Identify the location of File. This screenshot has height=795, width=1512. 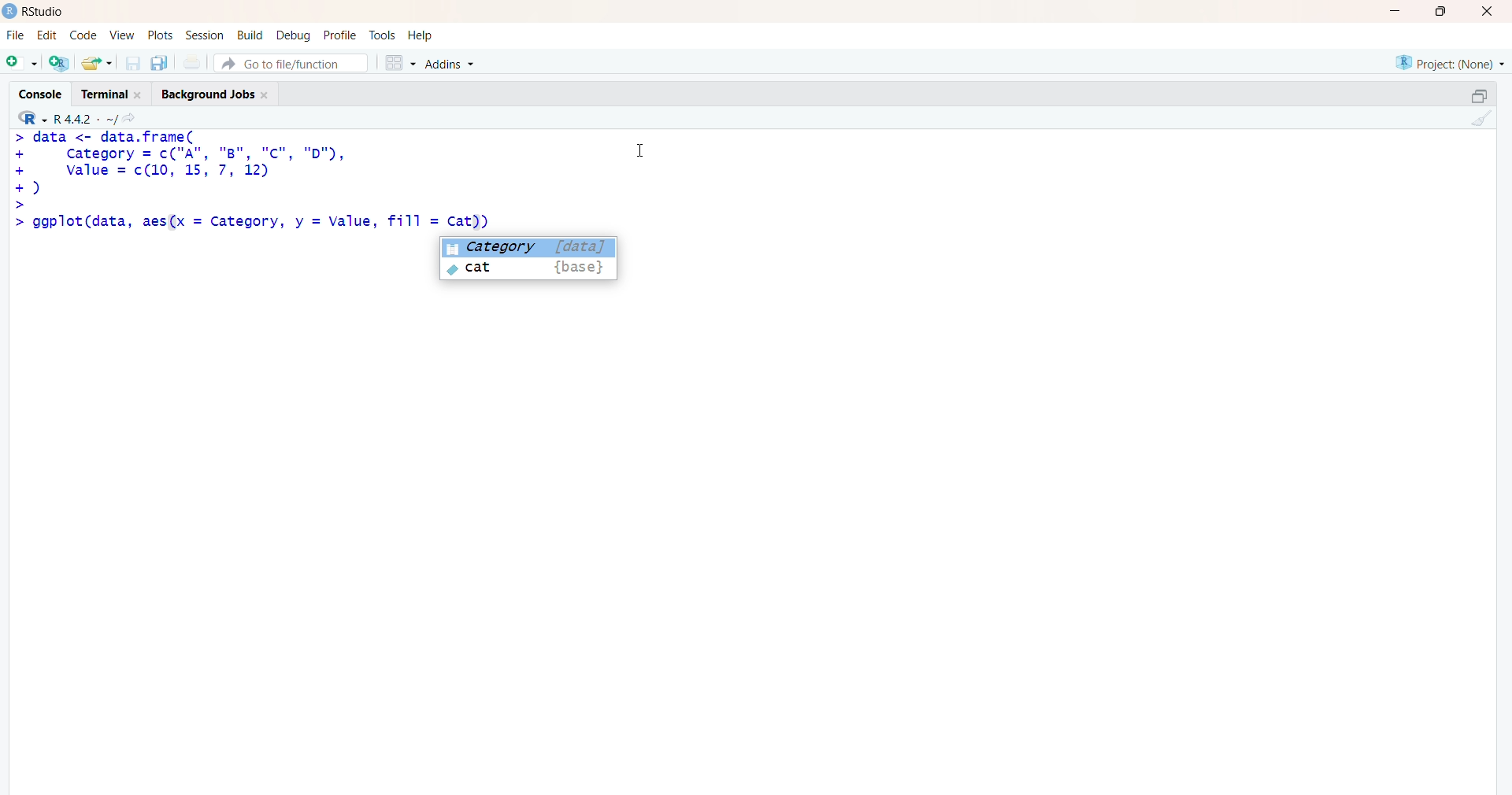
(16, 35).